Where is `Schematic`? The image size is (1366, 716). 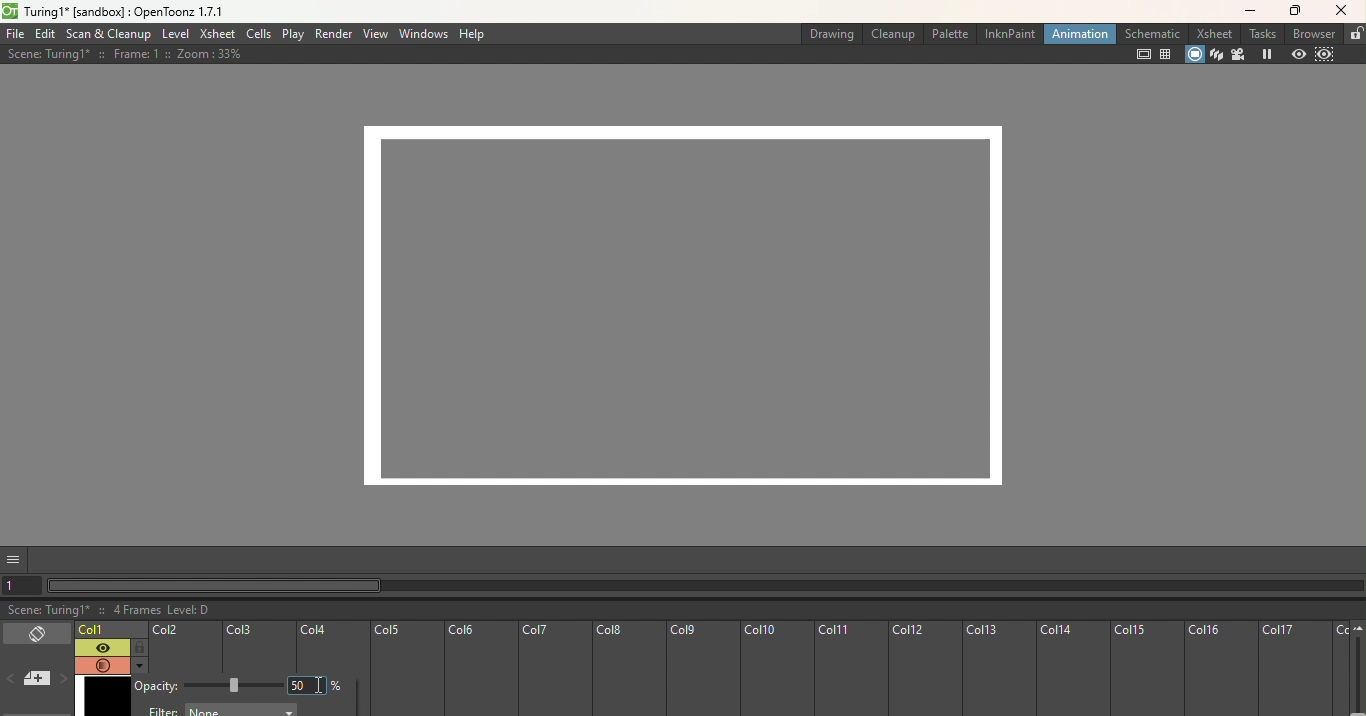 Schematic is located at coordinates (1147, 33).